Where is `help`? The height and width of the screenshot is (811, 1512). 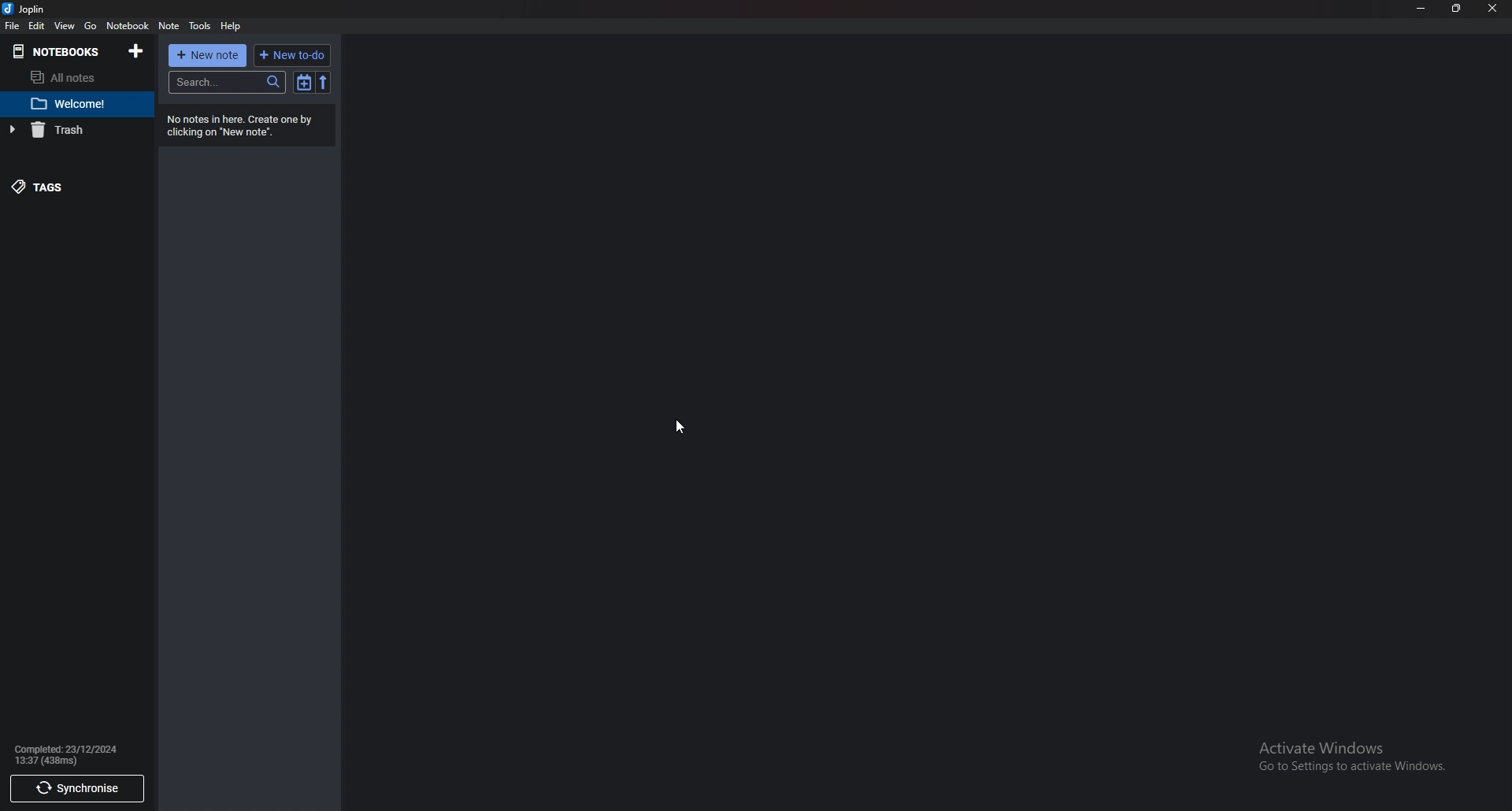 help is located at coordinates (232, 25).